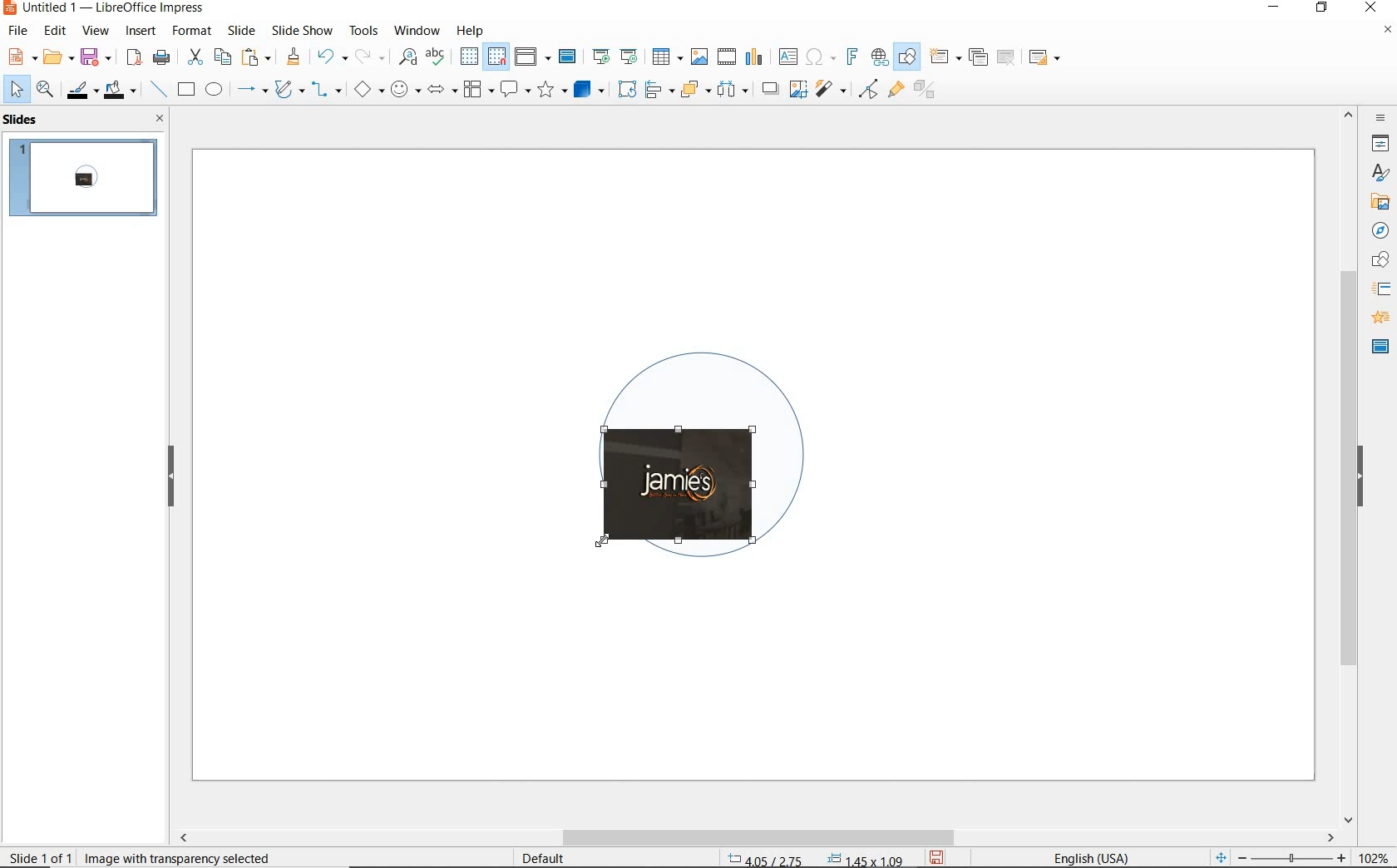 This screenshot has height=868, width=1397. What do you see at coordinates (439, 91) in the screenshot?
I see `block arrows` at bounding box center [439, 91].